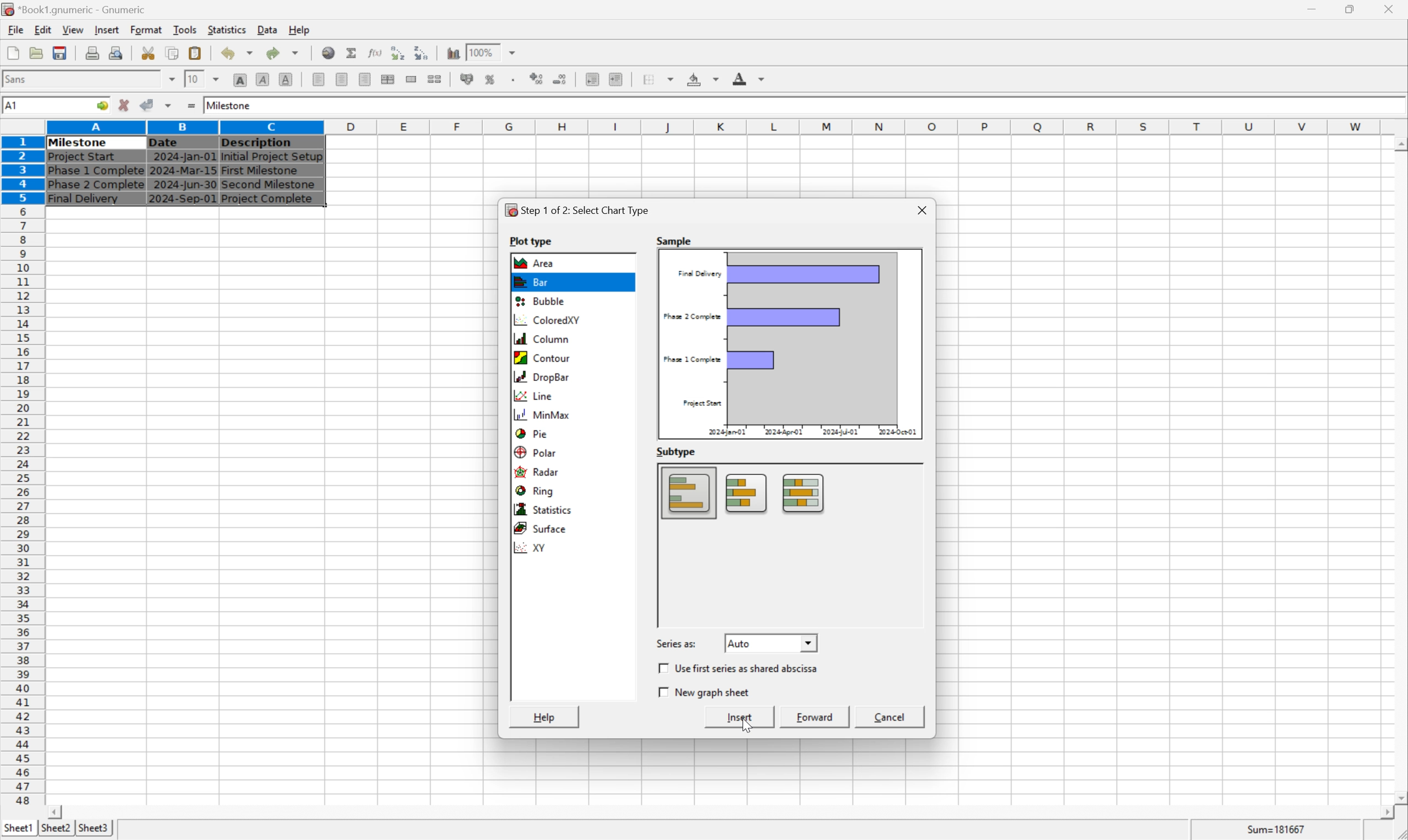  What do you see at coordinates (38, 53) in the screenshot?
I see `open a file` at bounding box center [38, 53].